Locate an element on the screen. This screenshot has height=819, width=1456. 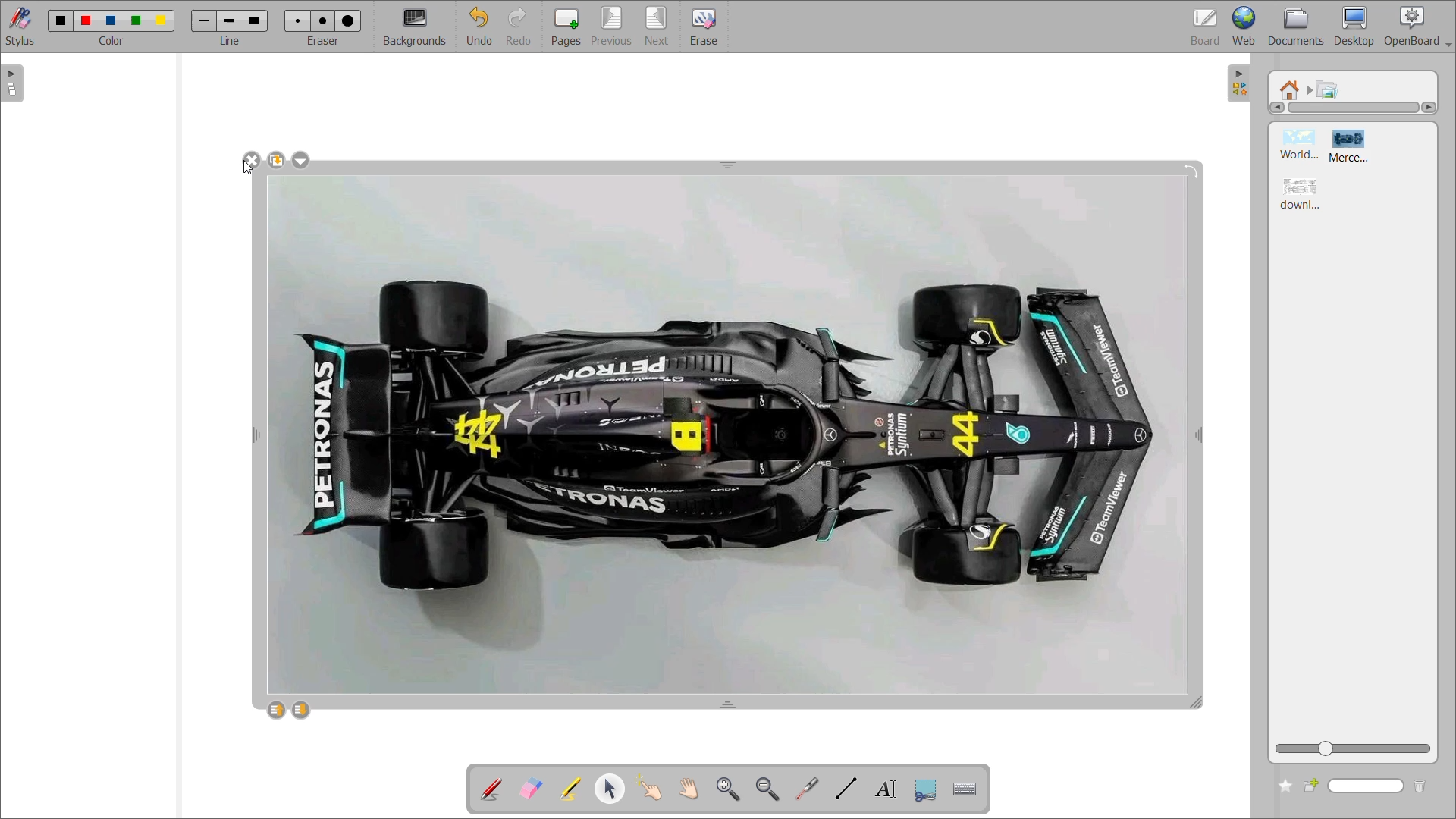
documents is located at coordinates (1296, 24).